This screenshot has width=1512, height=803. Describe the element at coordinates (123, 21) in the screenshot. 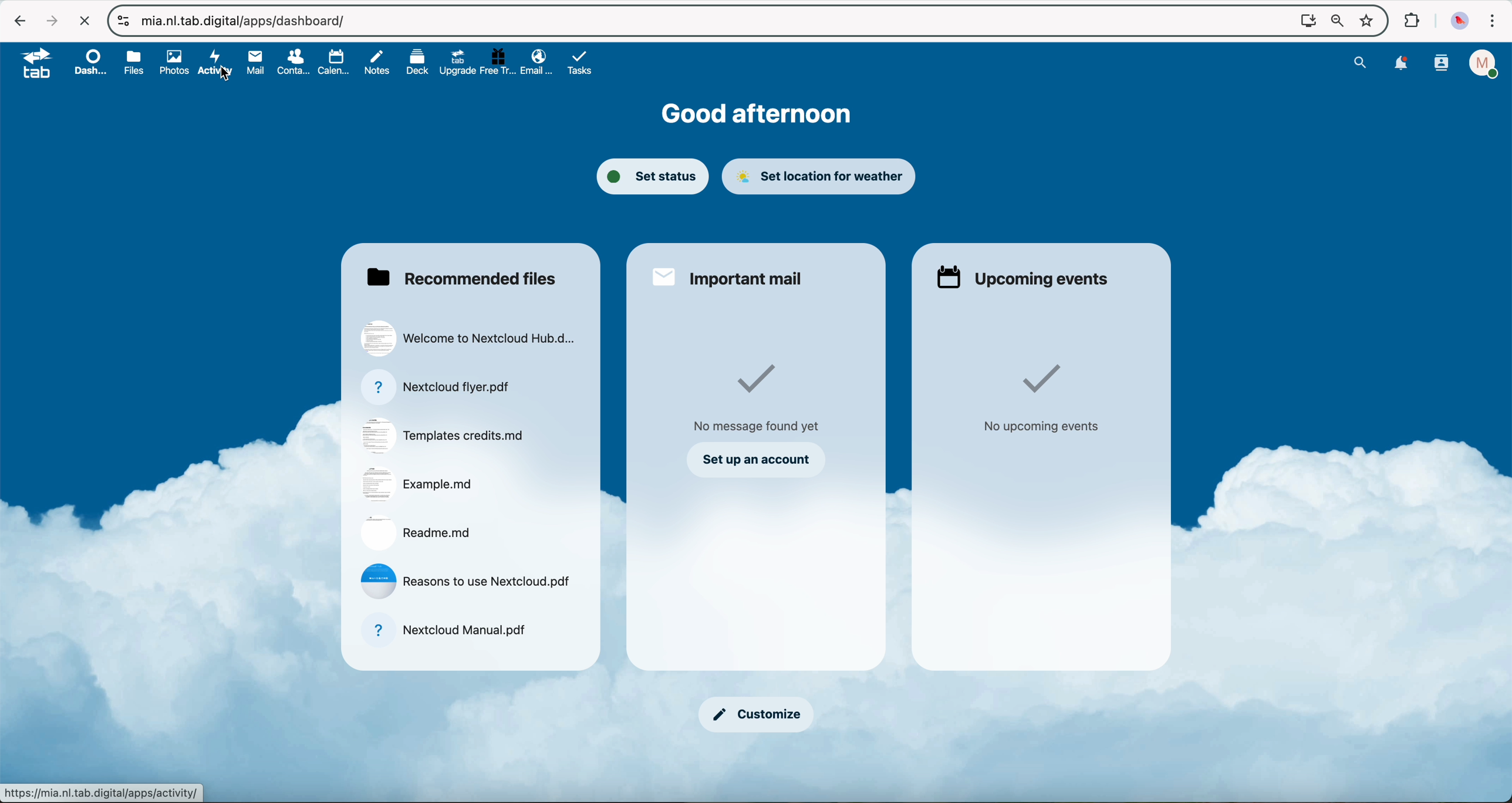

I see `controls` at that location.